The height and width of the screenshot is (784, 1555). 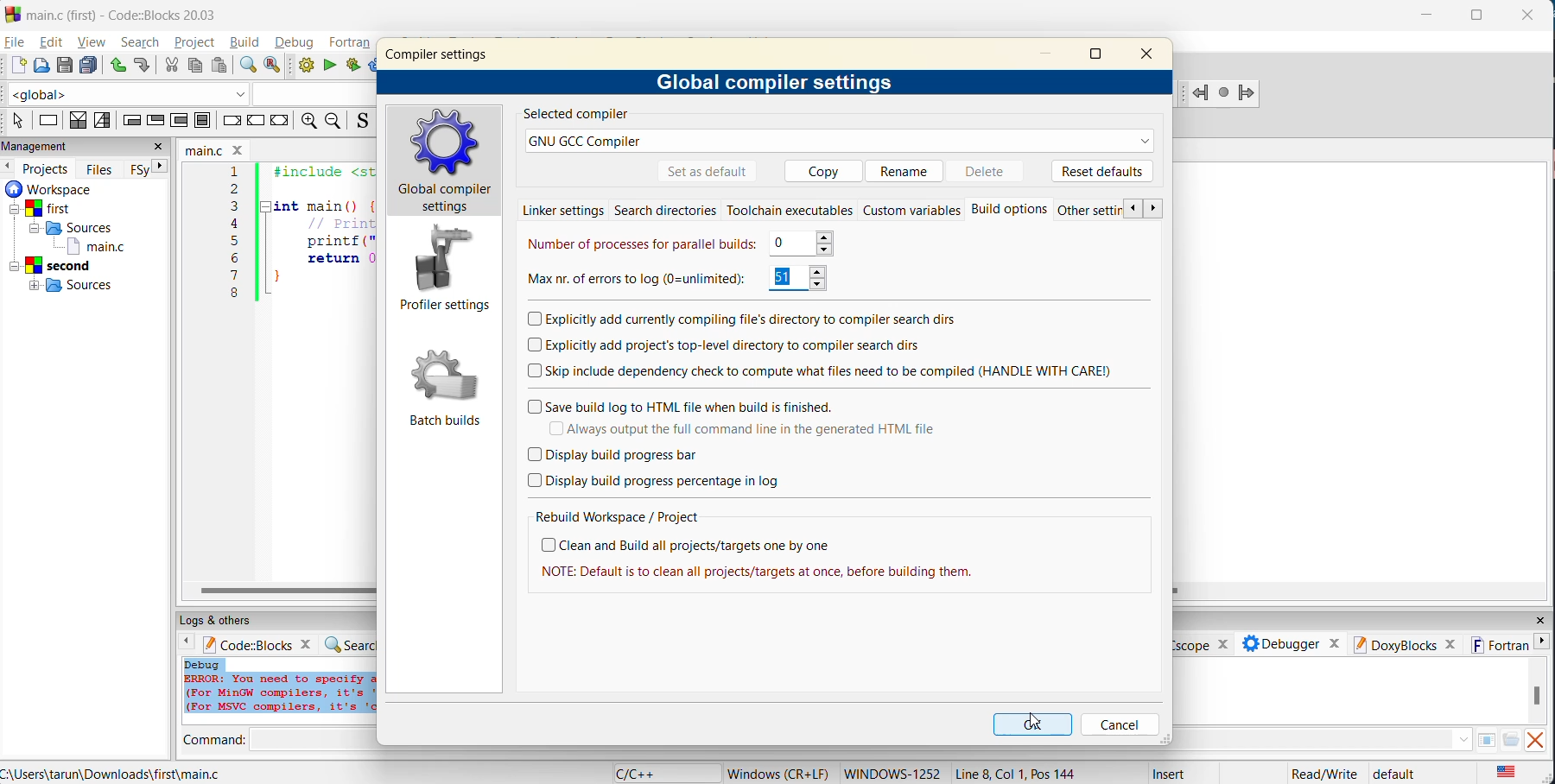 What do you see at coordinates (1016, 773) in the screenshot?
I see `Line 8, Col 1, Pos 144` at bounding box center [1016, 773].